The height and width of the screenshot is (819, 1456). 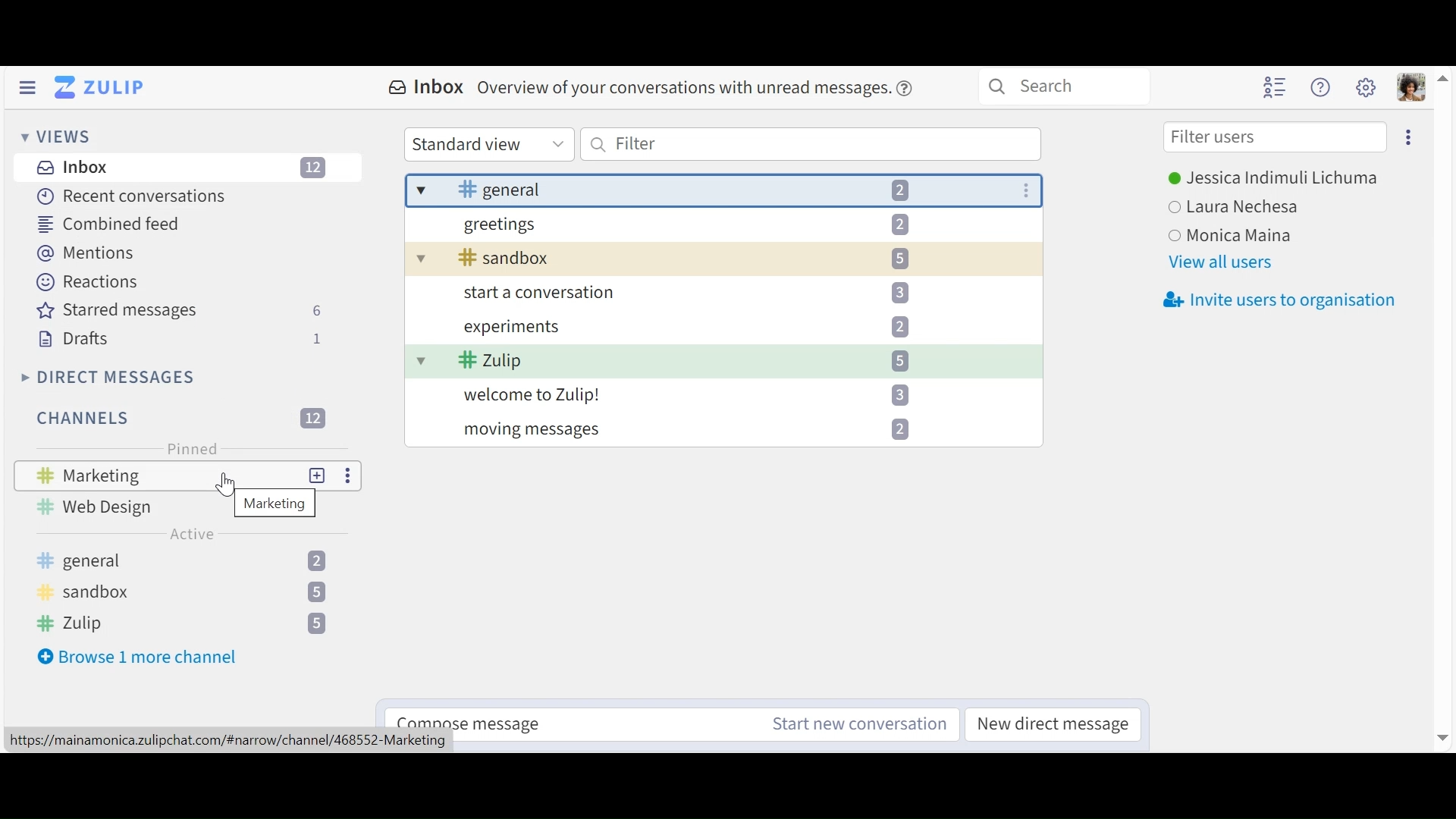 What do you see at coordinates (180, 311) in the screenshot?
I see `Starred messages` at bounding box center [180, 311].